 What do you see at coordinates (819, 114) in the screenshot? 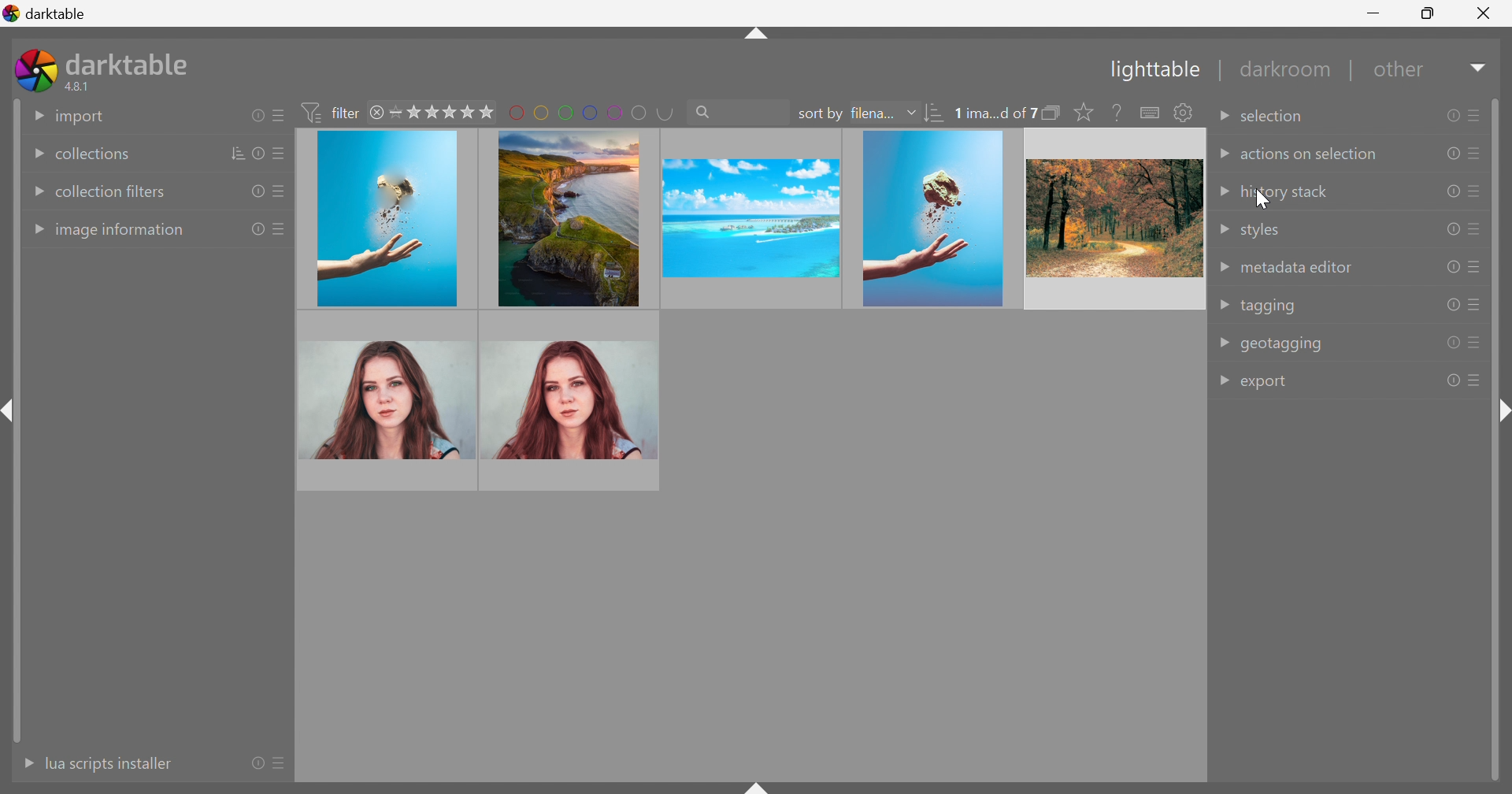
I see `sort by` at bounding box center [819, 114].